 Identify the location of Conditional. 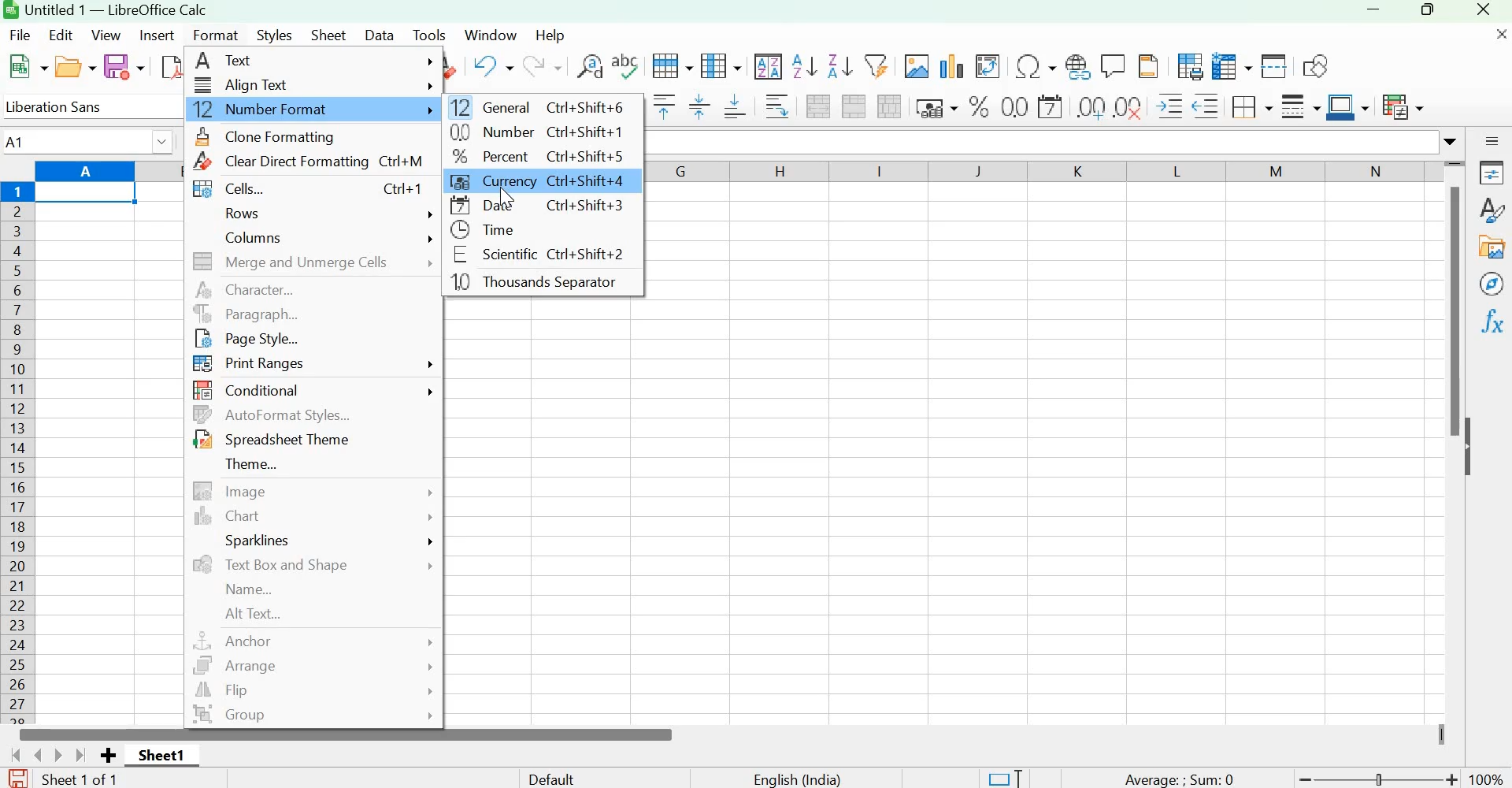
(317, 389).